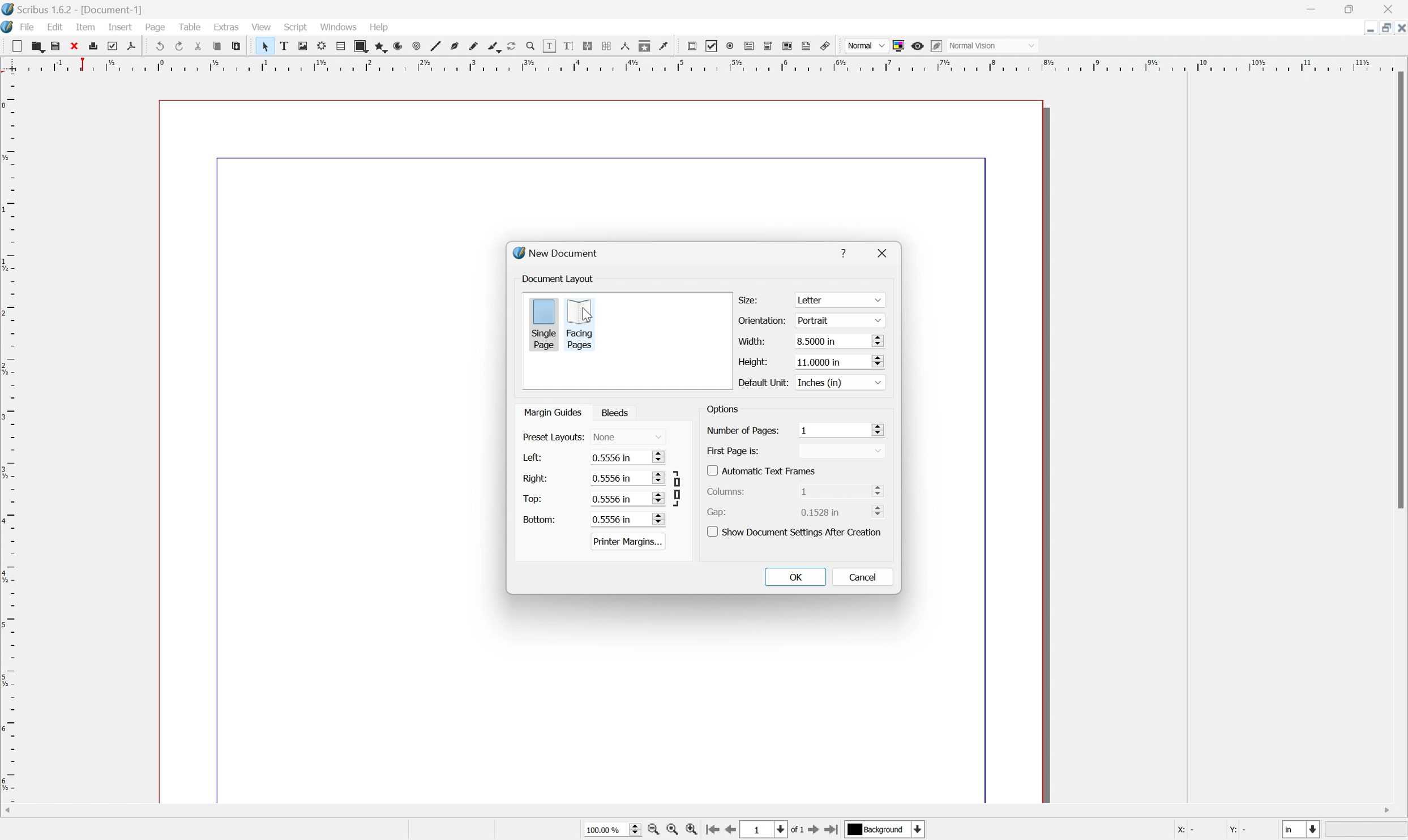 Image resolution: width=1408 pixels, height=840 pixels. What do you see at coordinates (89, 27) in the screenshot?
I see `Item` at bounding box center [89, 27].